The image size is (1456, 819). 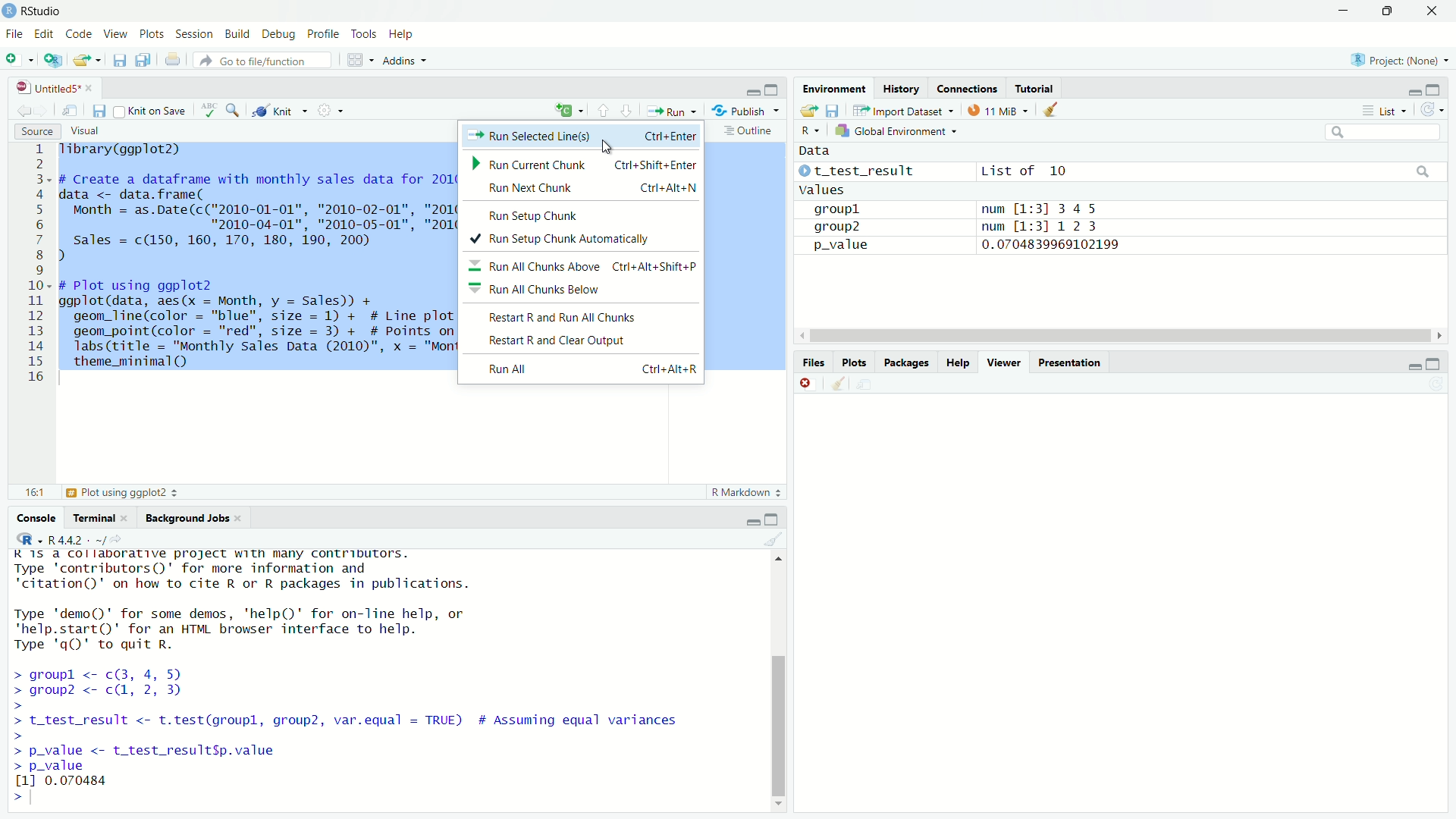 I want to click on Run , so click(x=673, y=111).